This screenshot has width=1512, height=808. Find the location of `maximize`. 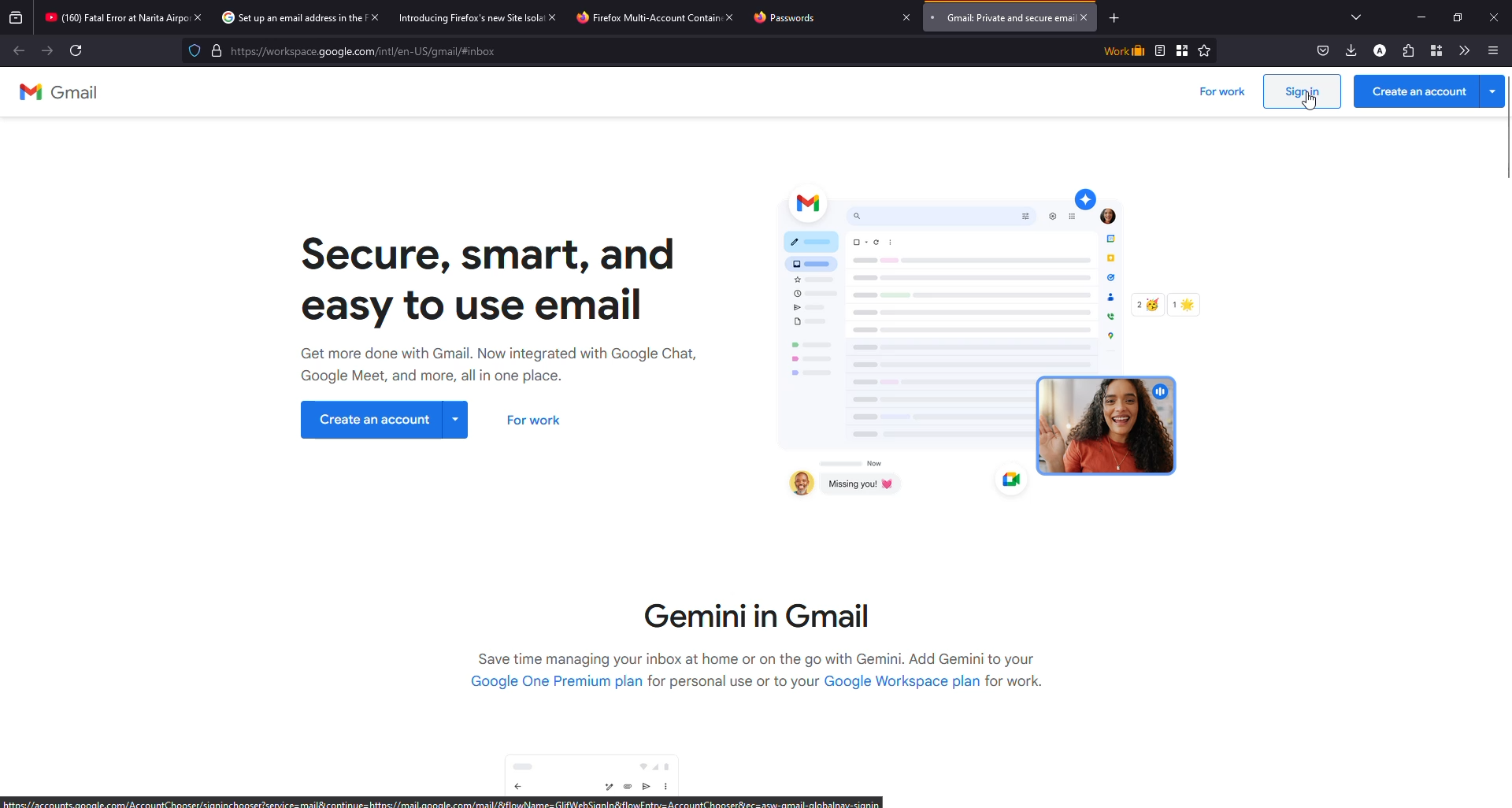

maximize is located at coordinates (1457, 15).